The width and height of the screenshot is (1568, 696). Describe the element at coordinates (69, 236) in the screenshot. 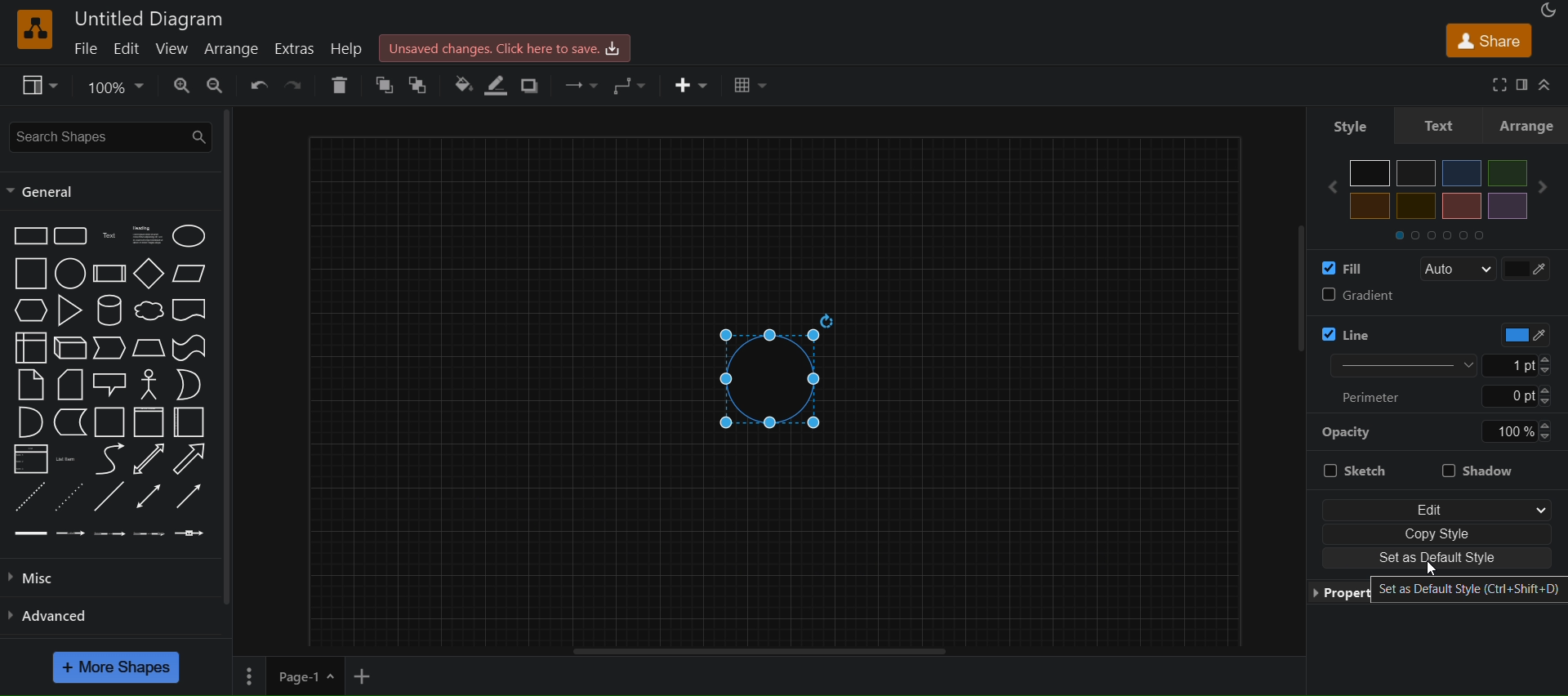

I see `rounded rectangle` at that location.